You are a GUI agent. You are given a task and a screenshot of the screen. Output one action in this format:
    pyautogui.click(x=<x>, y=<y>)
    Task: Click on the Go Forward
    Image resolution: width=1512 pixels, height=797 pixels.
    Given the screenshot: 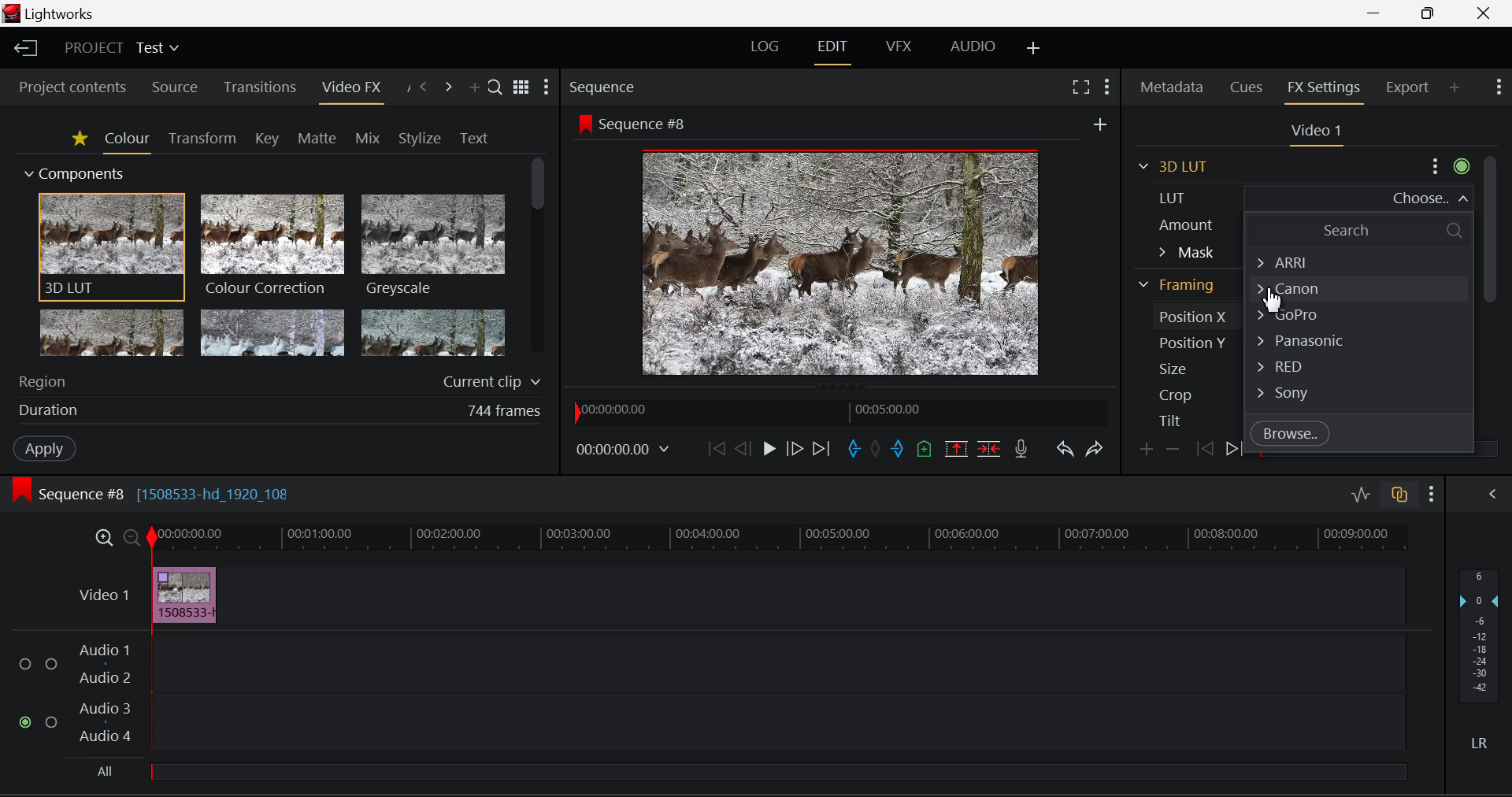 What is the action you would take?
    pyautogui.click(x=795, y=451)
    